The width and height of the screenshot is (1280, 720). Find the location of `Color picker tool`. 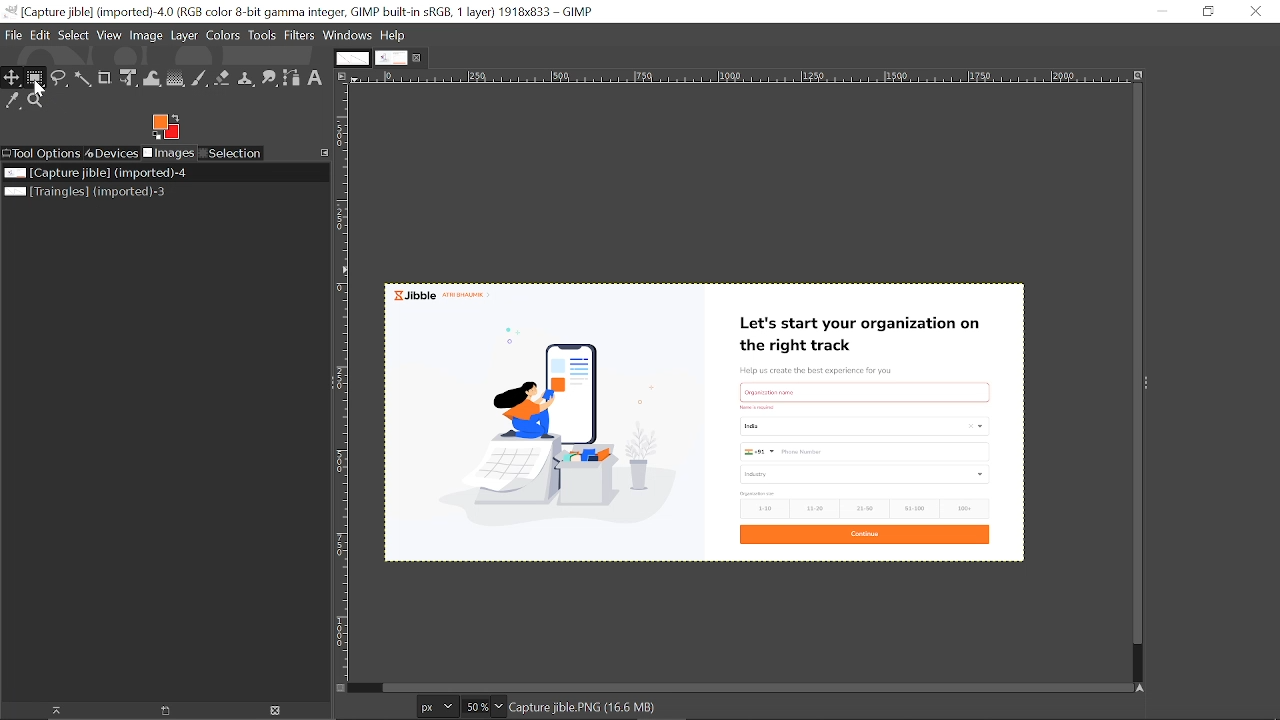

Color picker tool is located at coordinates (11, 104).